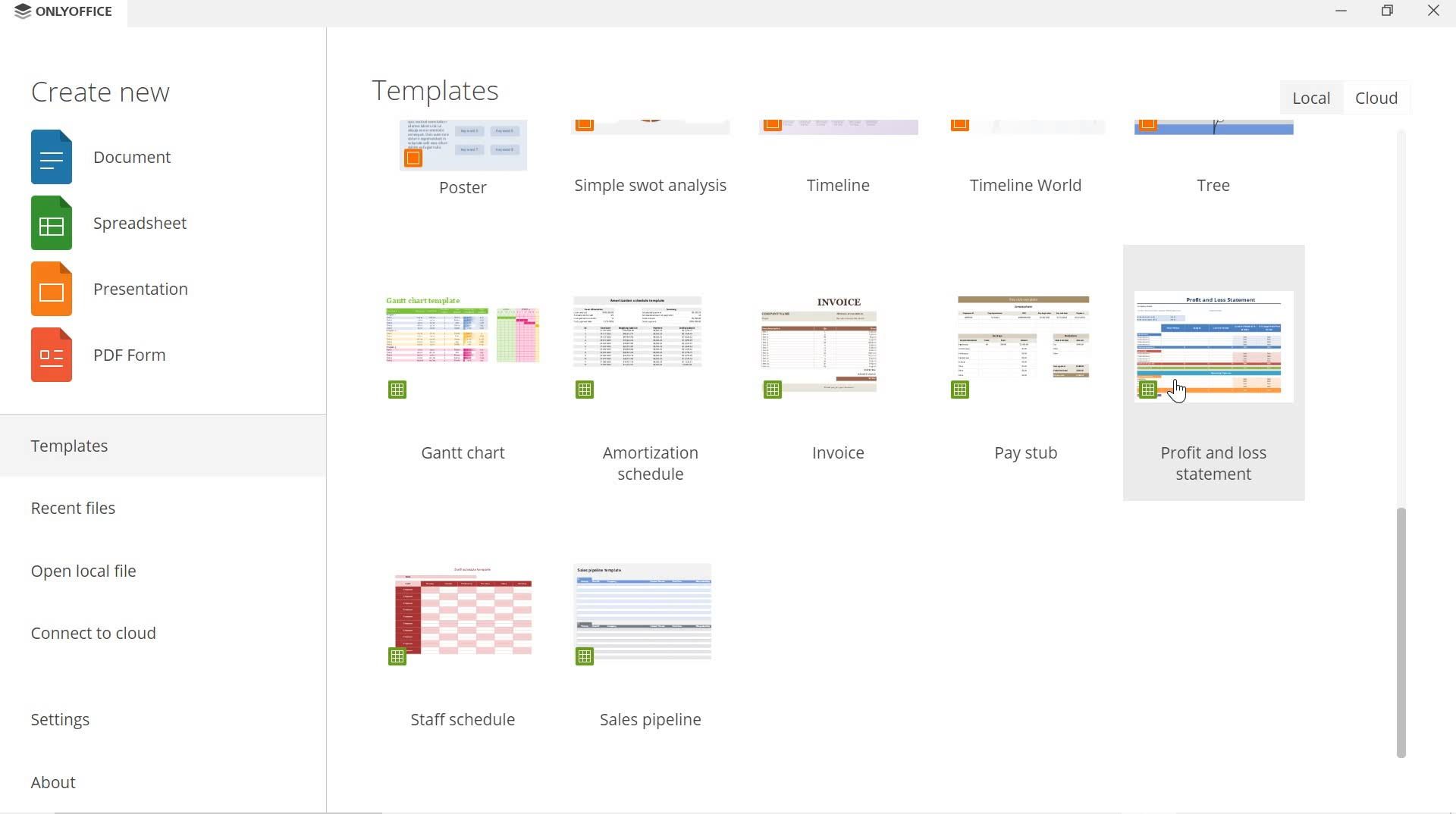 This screenshot has height=814, width=1456. I want to click on onlyoffice, so click(80, 11).